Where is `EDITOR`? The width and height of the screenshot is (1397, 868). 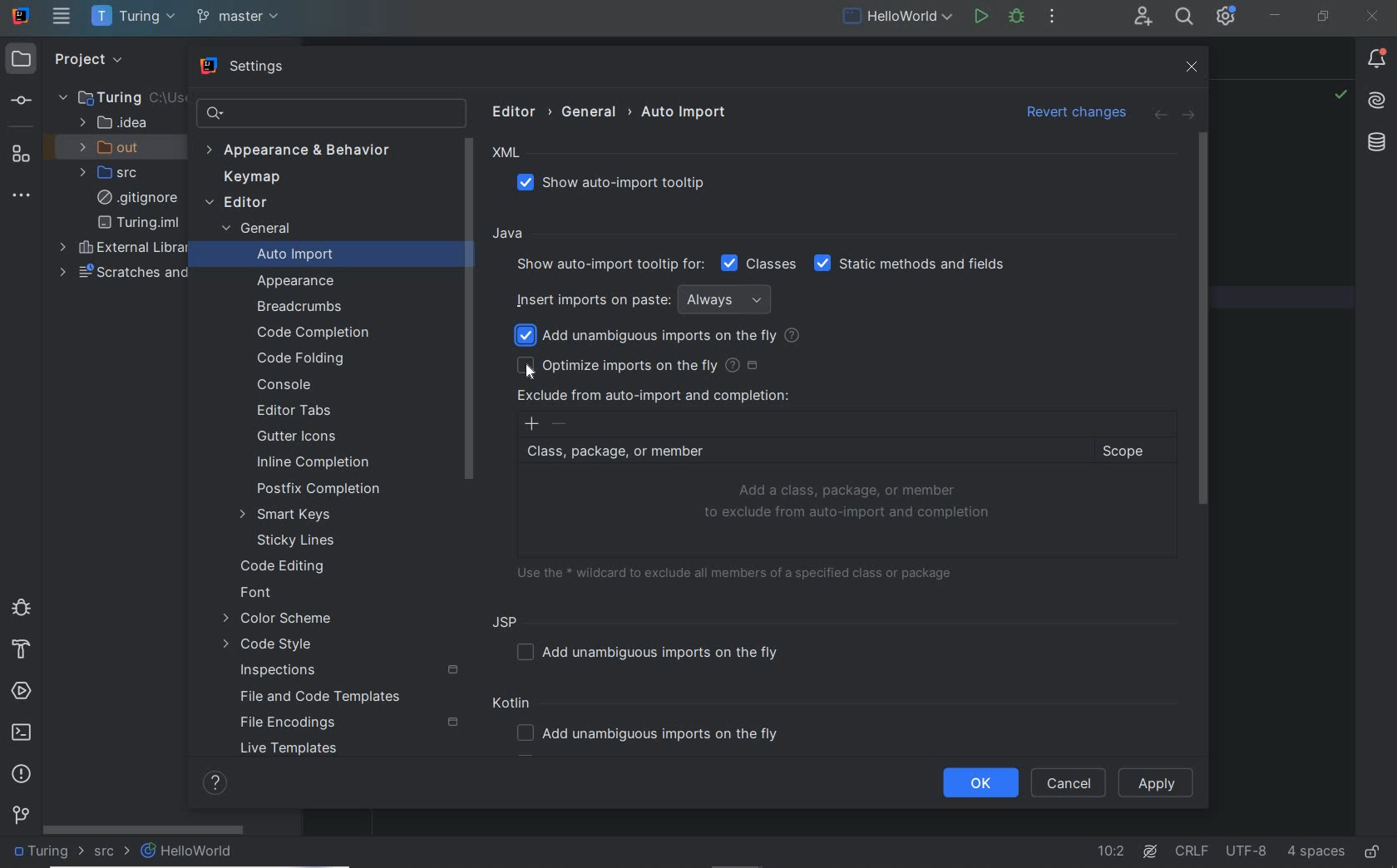
EDITOR is located at coordinates (236, 204).